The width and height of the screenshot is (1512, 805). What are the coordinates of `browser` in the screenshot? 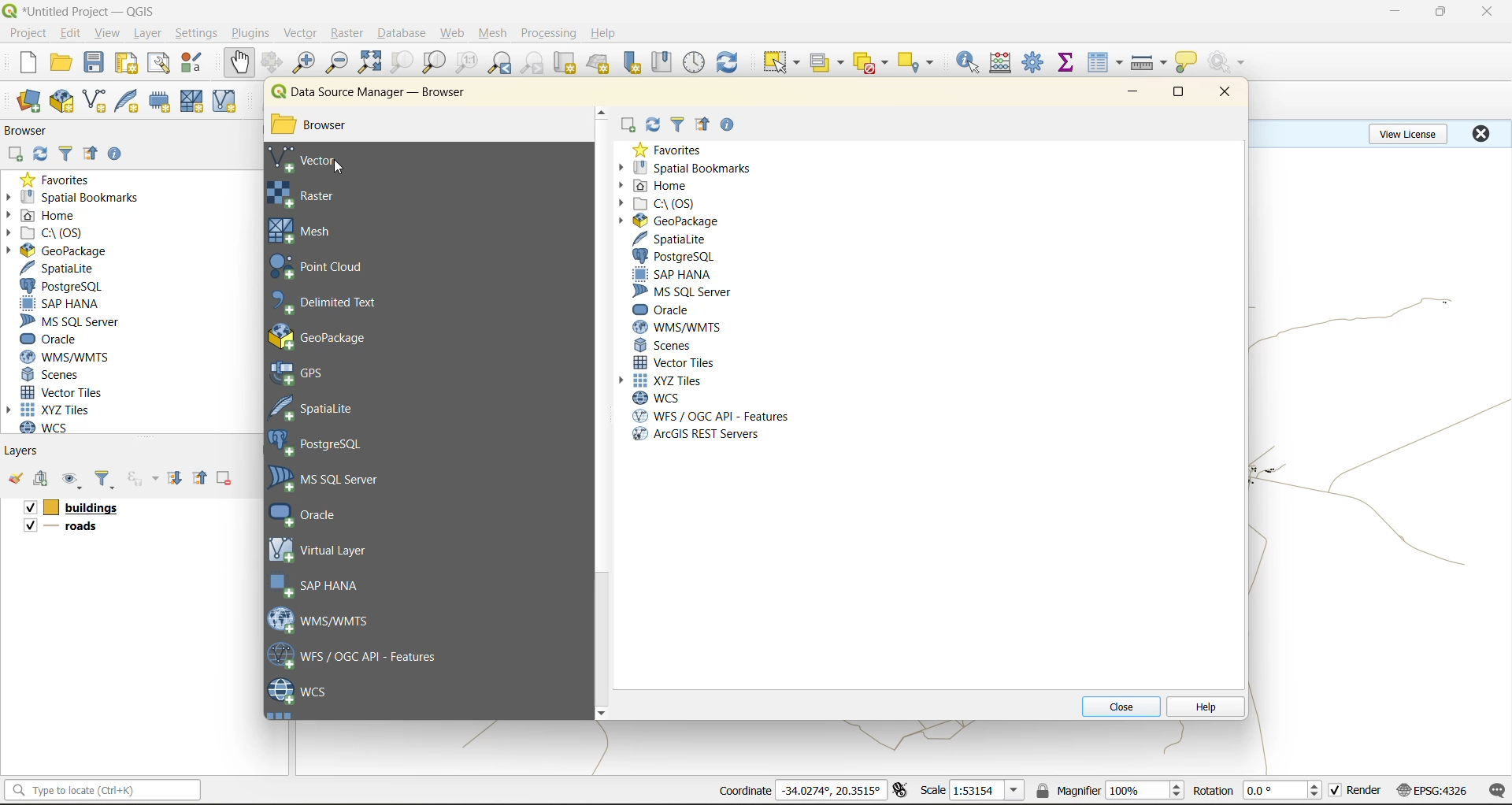 It's located at (324, 127).